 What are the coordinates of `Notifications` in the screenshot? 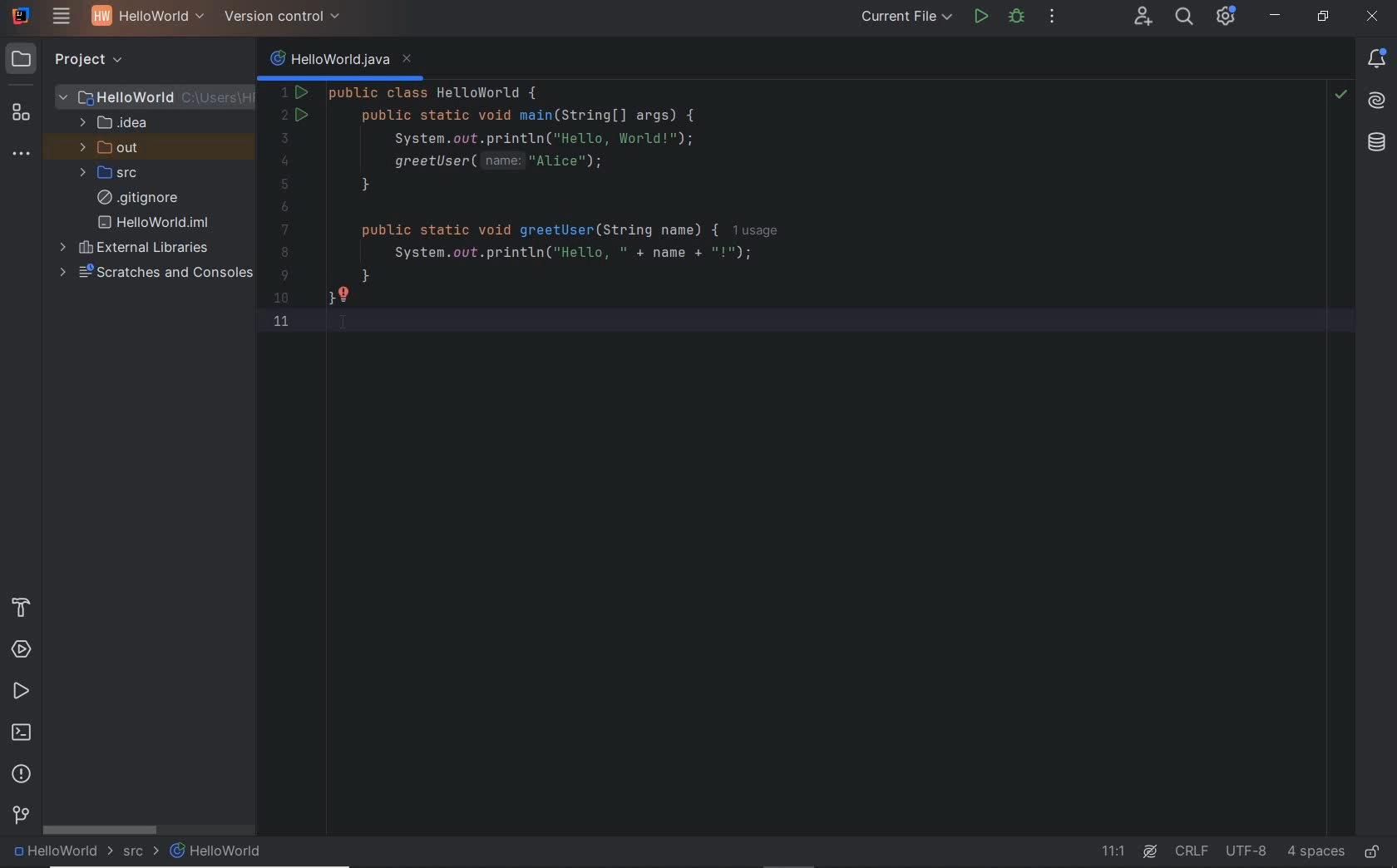 It's located at (1377, 57).